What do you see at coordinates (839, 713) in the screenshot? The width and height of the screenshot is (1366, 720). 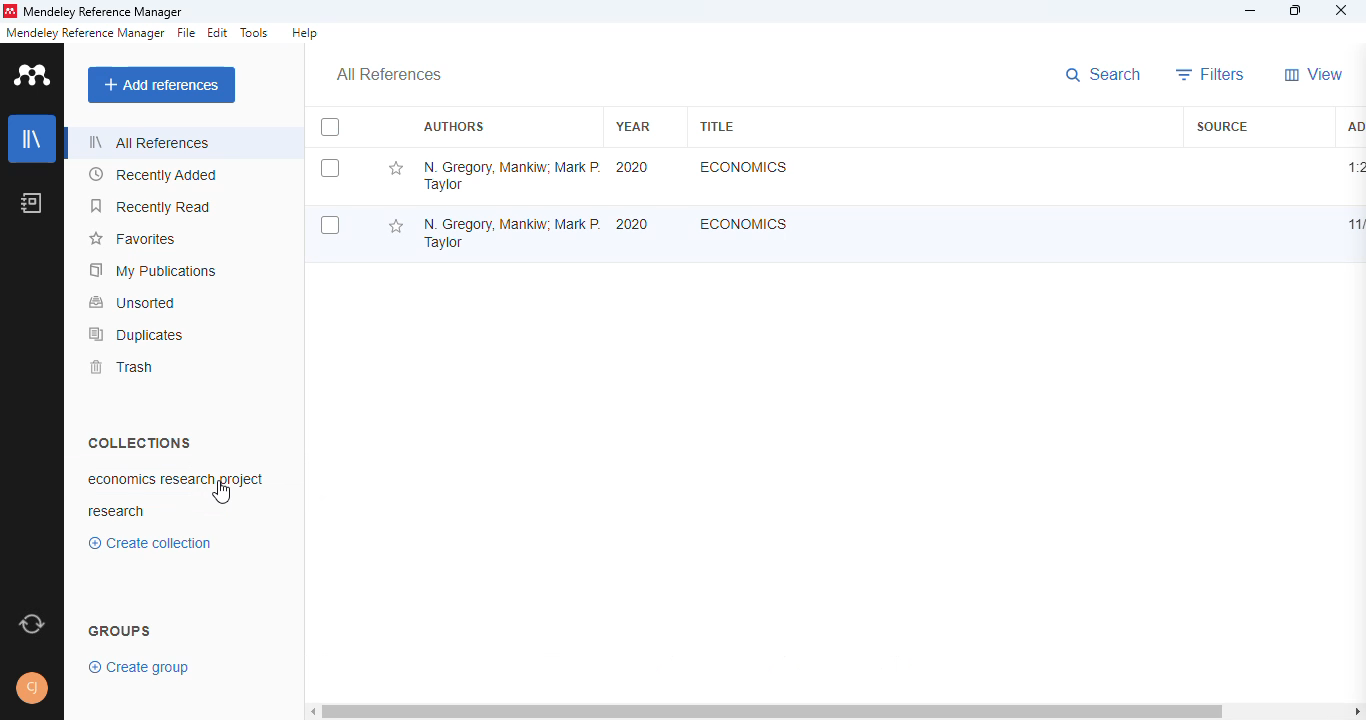 I see `horizontal scroll bar` at bounding box center [839, 713].